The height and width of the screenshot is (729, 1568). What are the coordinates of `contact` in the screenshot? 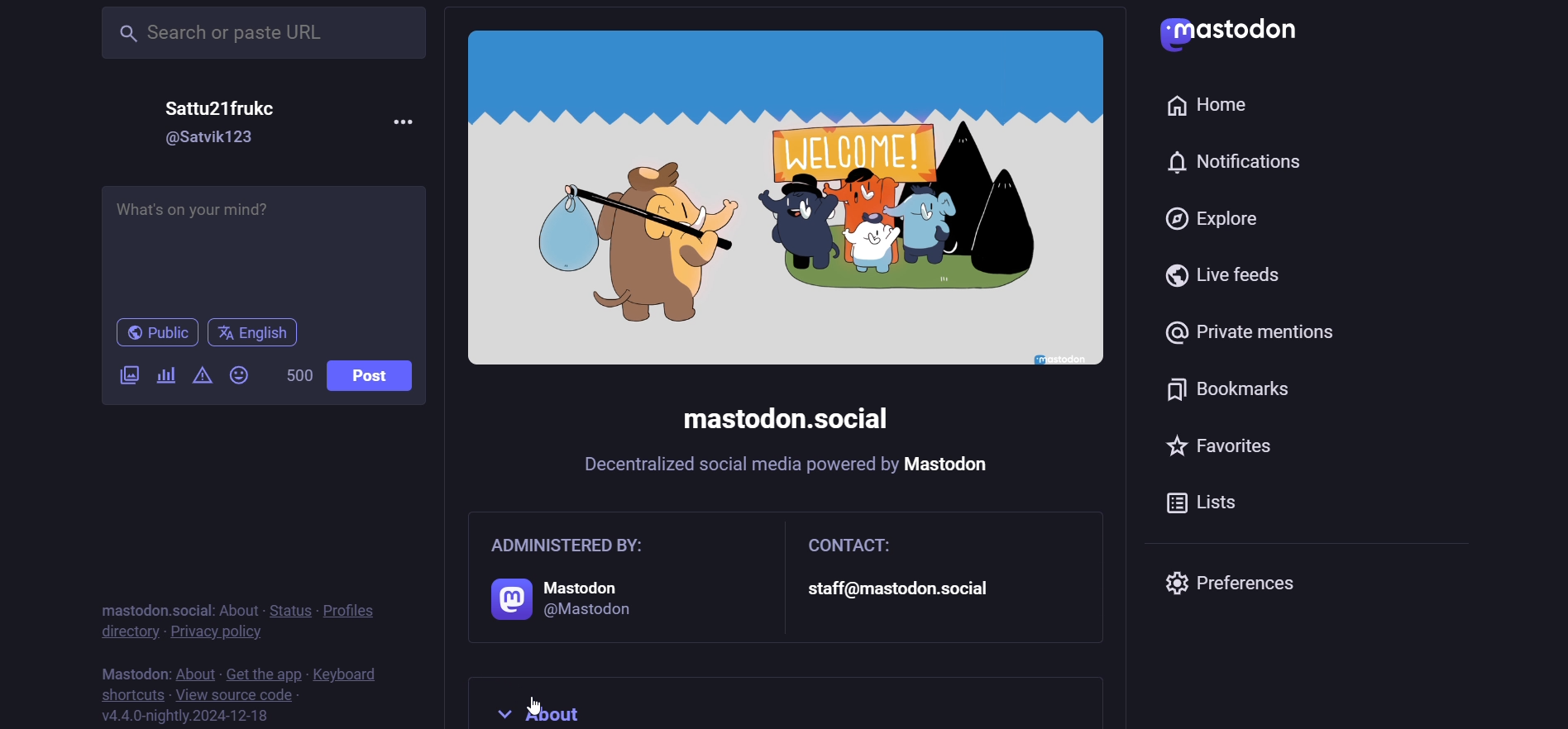 It's located at (944, 574).